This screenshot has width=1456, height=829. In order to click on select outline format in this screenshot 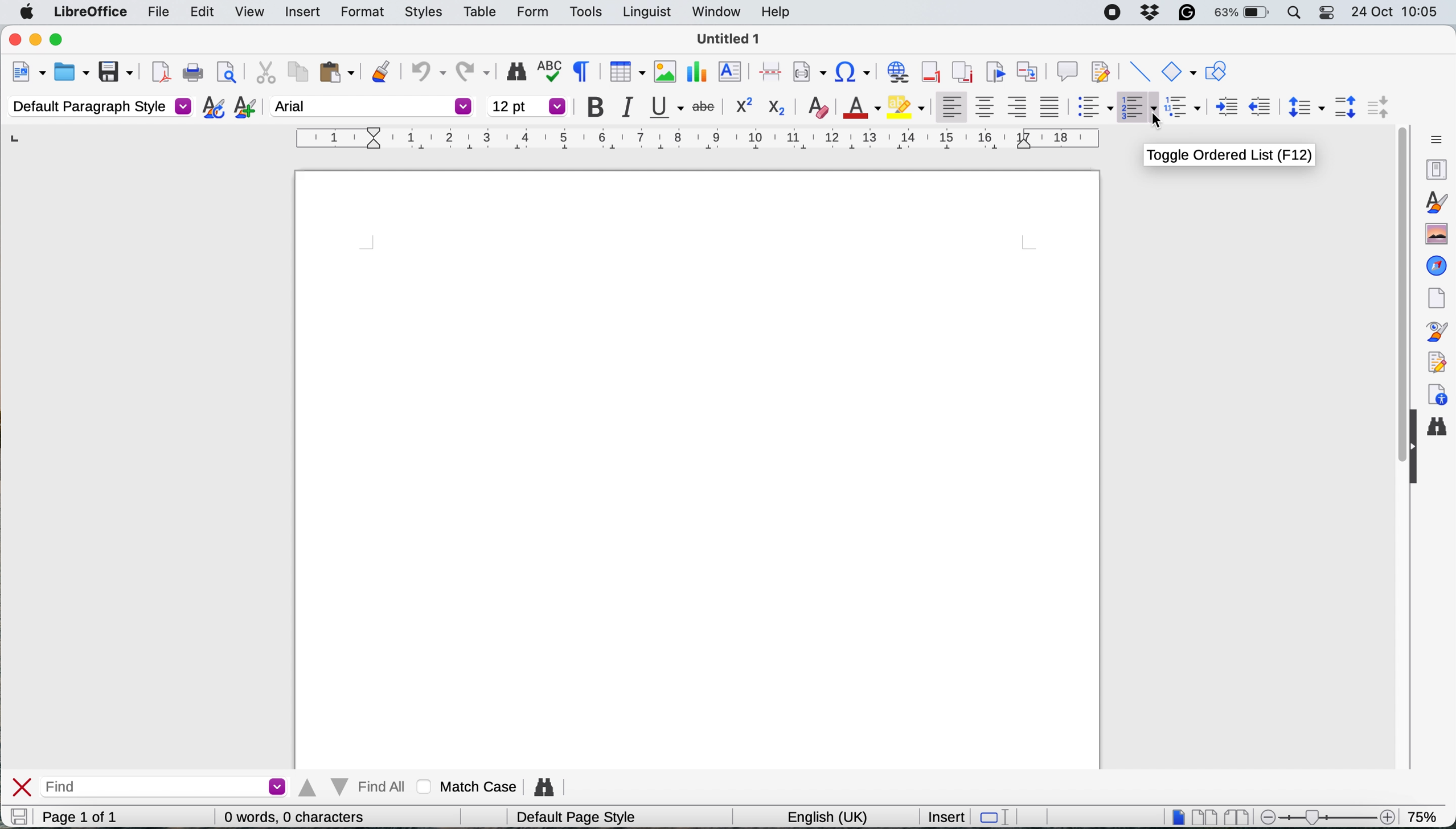, I will do `click(1187, 106)`.